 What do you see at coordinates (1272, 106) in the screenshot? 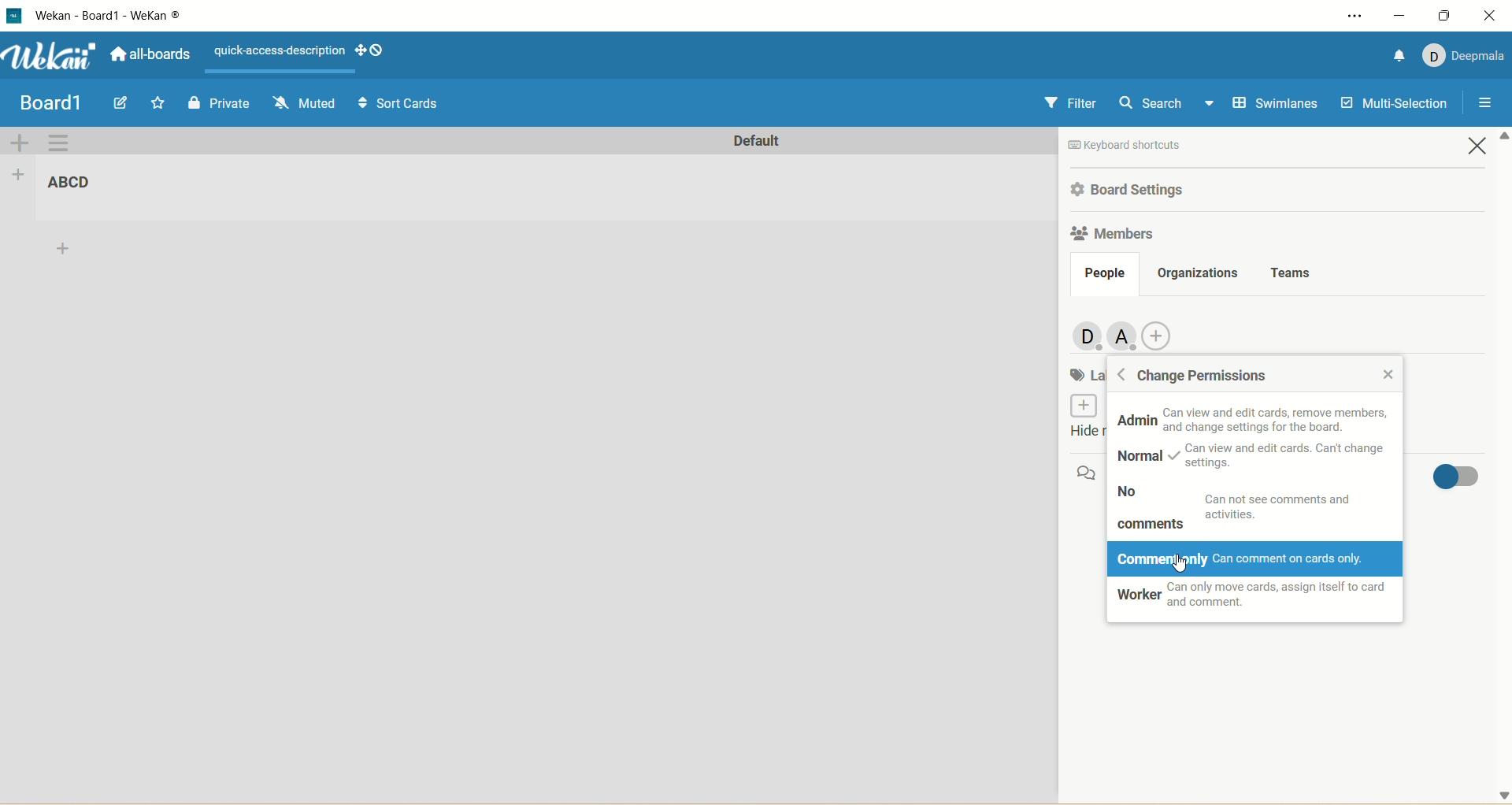
I see `swimlanes` at bounding box center [1272, 106].